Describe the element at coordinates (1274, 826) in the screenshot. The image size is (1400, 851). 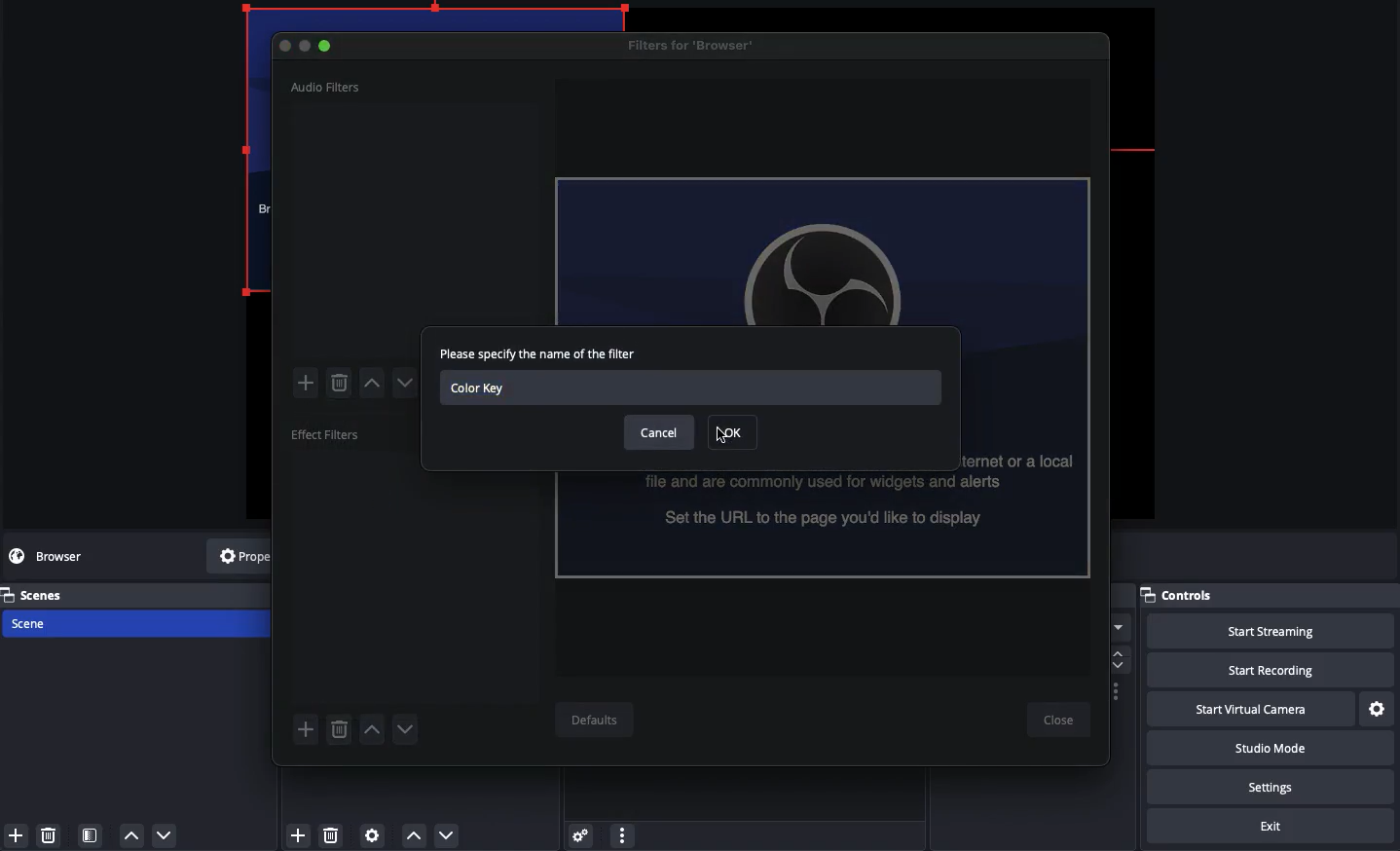
I see `Exit` at that location.